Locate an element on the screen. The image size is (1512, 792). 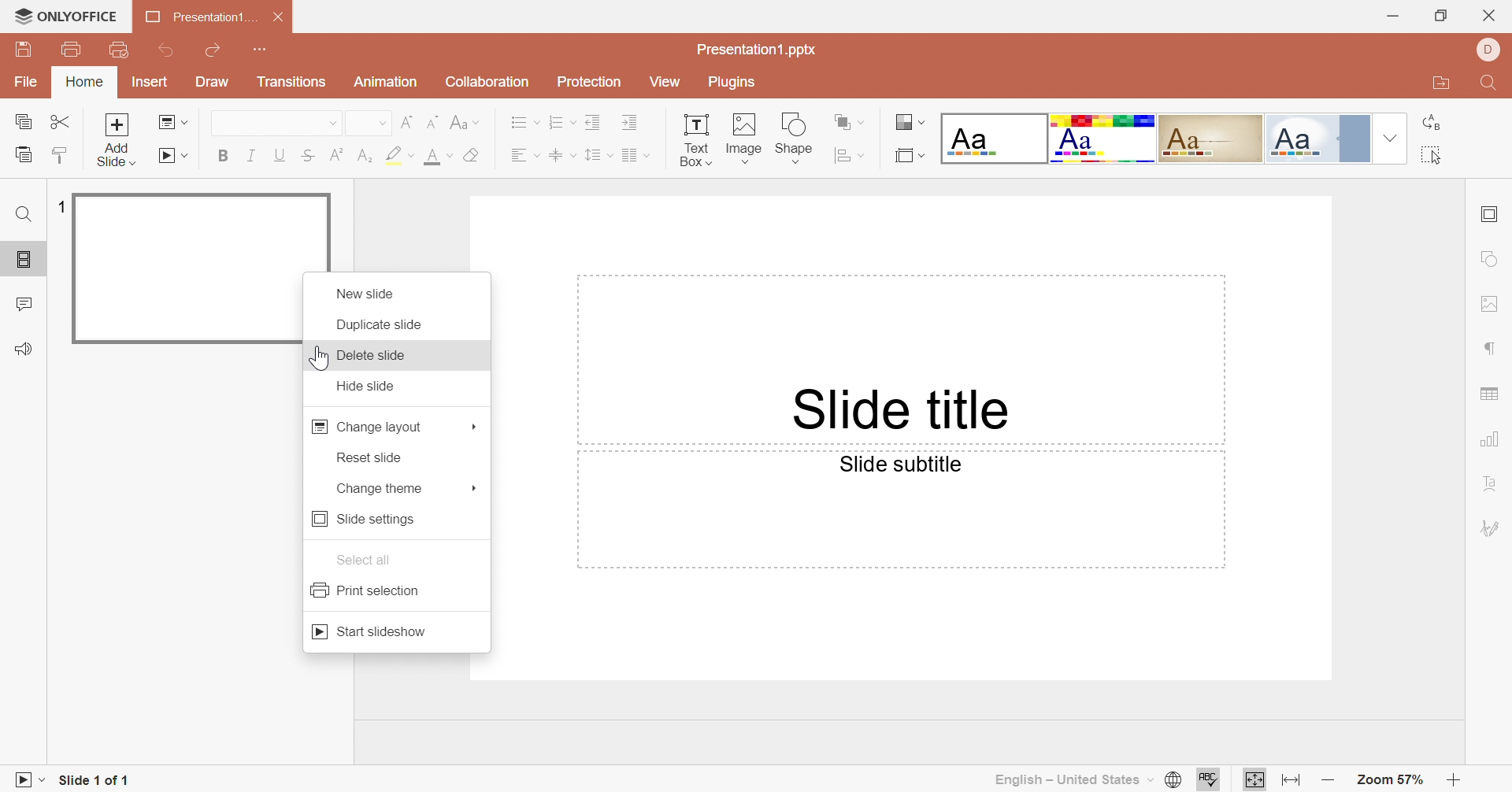
Change layout is located at coordinates (366, 426).